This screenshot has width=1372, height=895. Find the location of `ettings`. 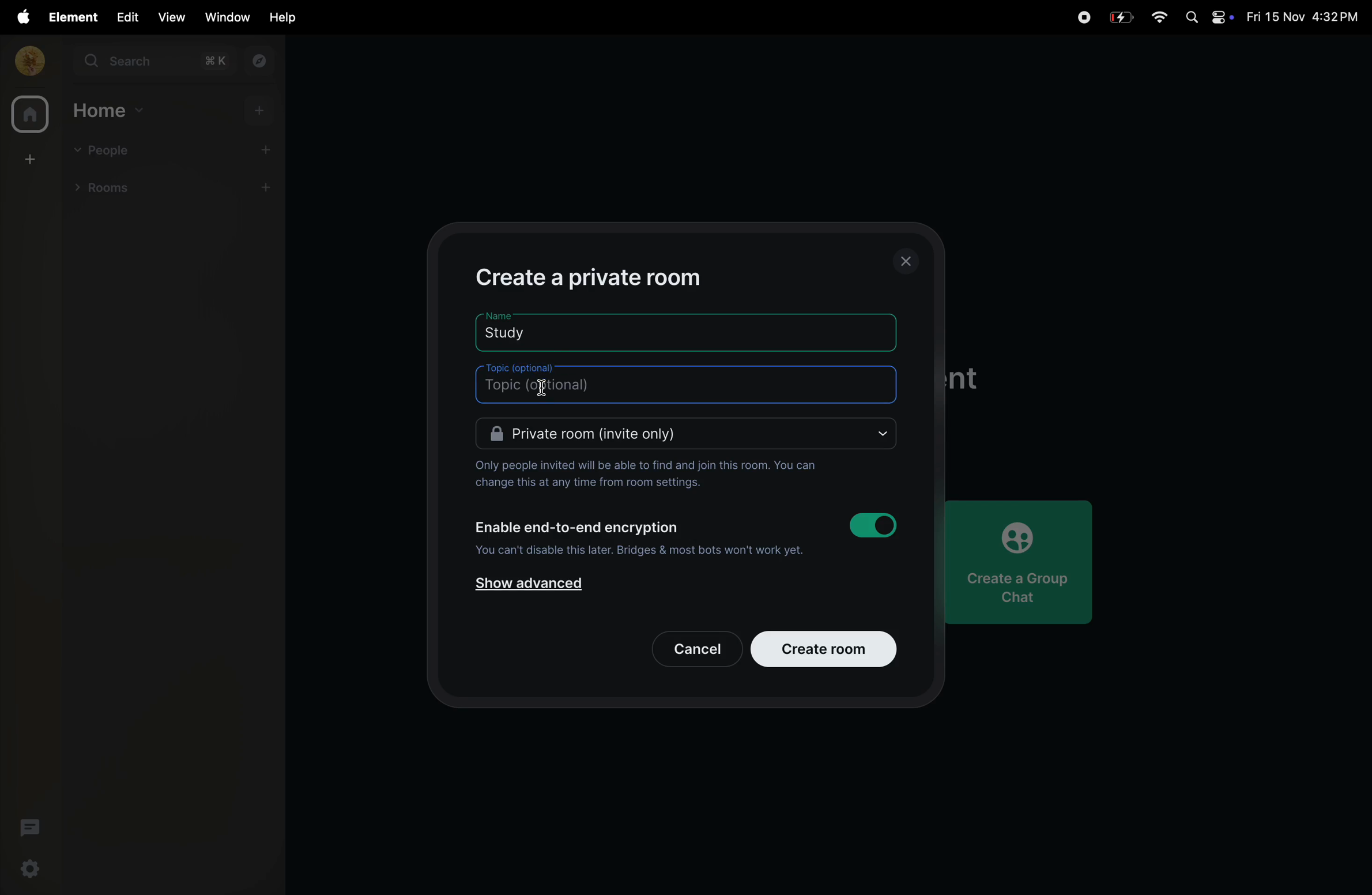

ettings is located at coordinates (31, 870).